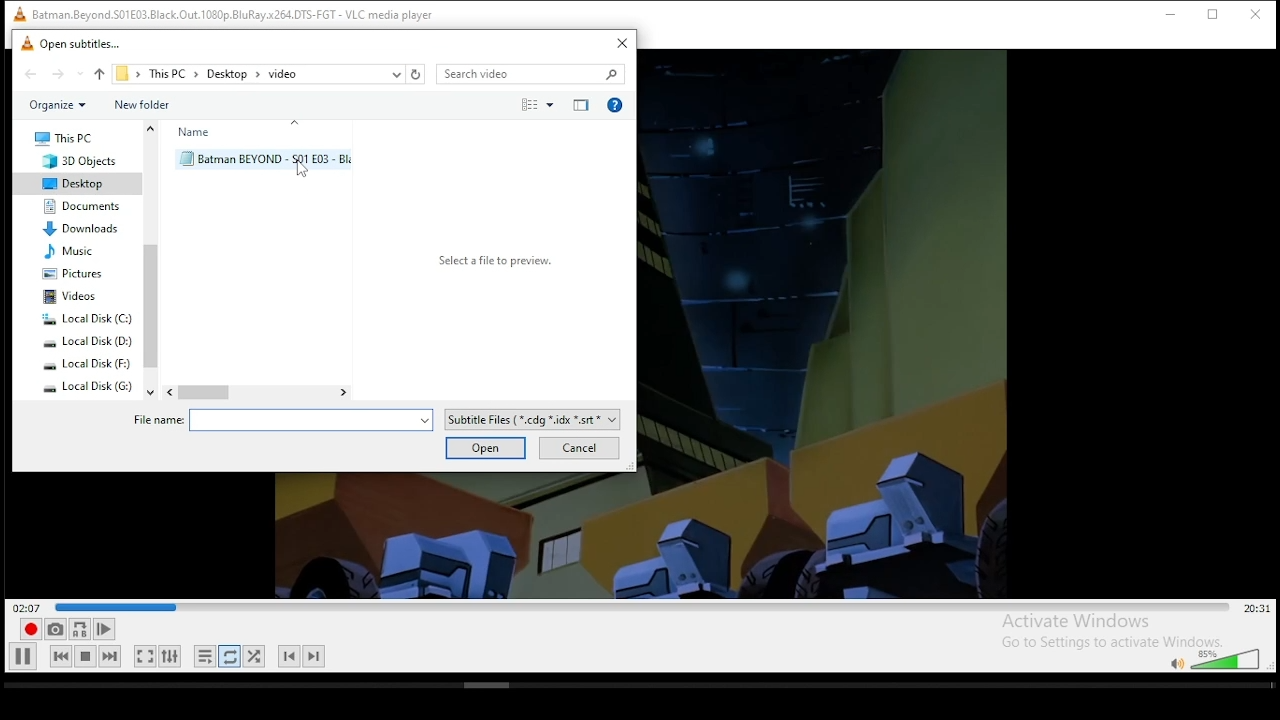  Describe the element at coordinates (417, 74) in the screenshot. I see `refresh` at that location.